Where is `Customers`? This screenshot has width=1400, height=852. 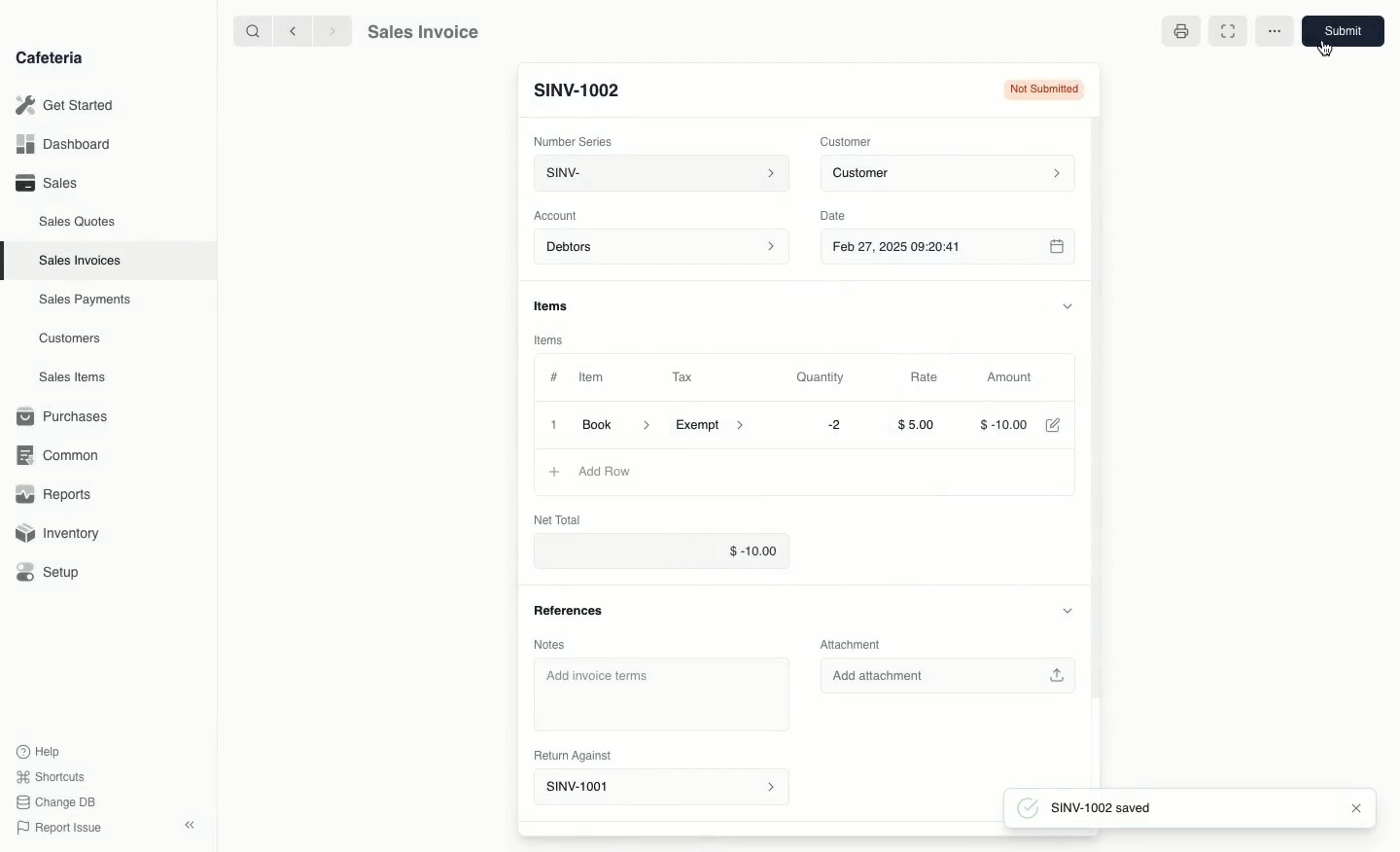 Customers is located at coordinates (70, 339).